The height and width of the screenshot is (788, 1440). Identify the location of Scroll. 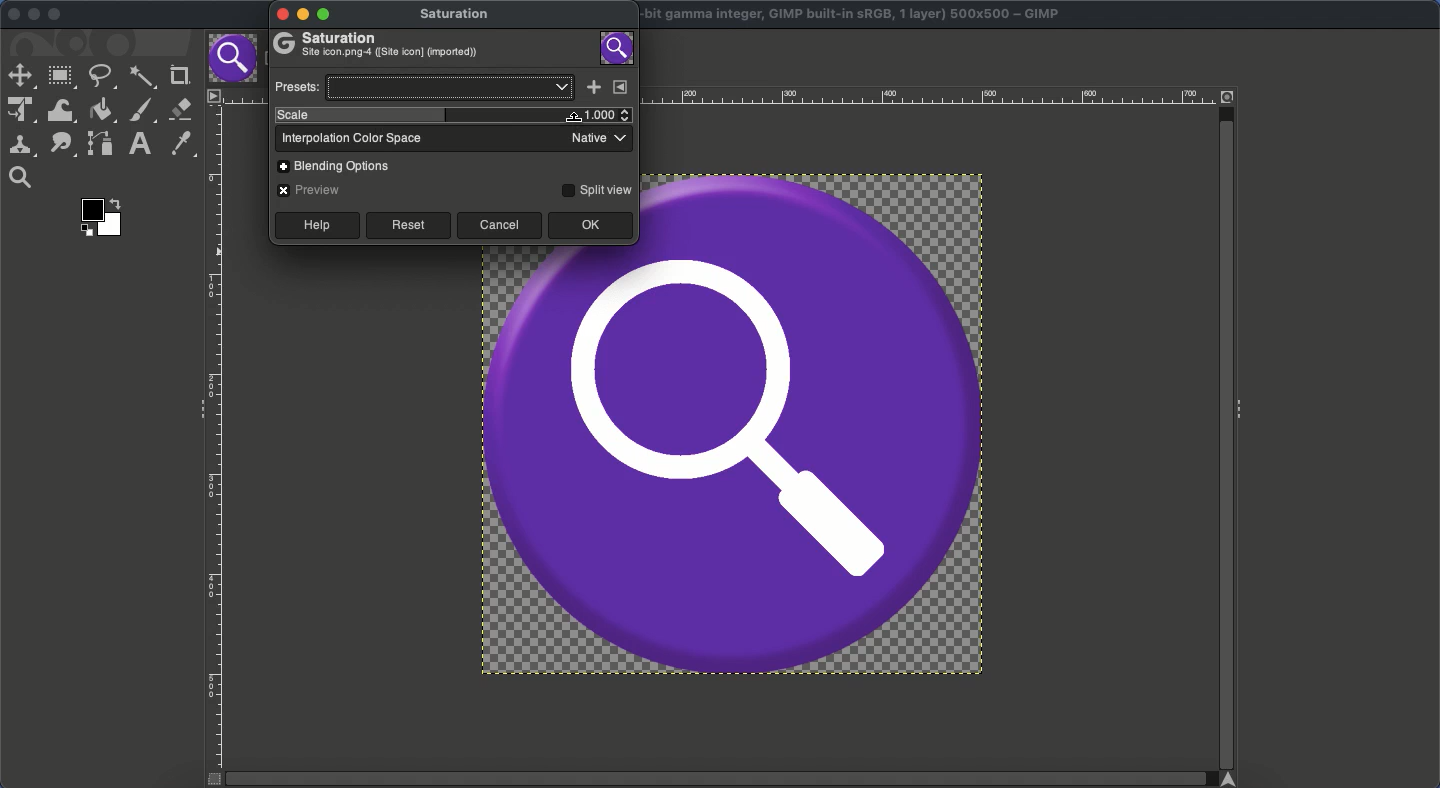
(1225, 428).